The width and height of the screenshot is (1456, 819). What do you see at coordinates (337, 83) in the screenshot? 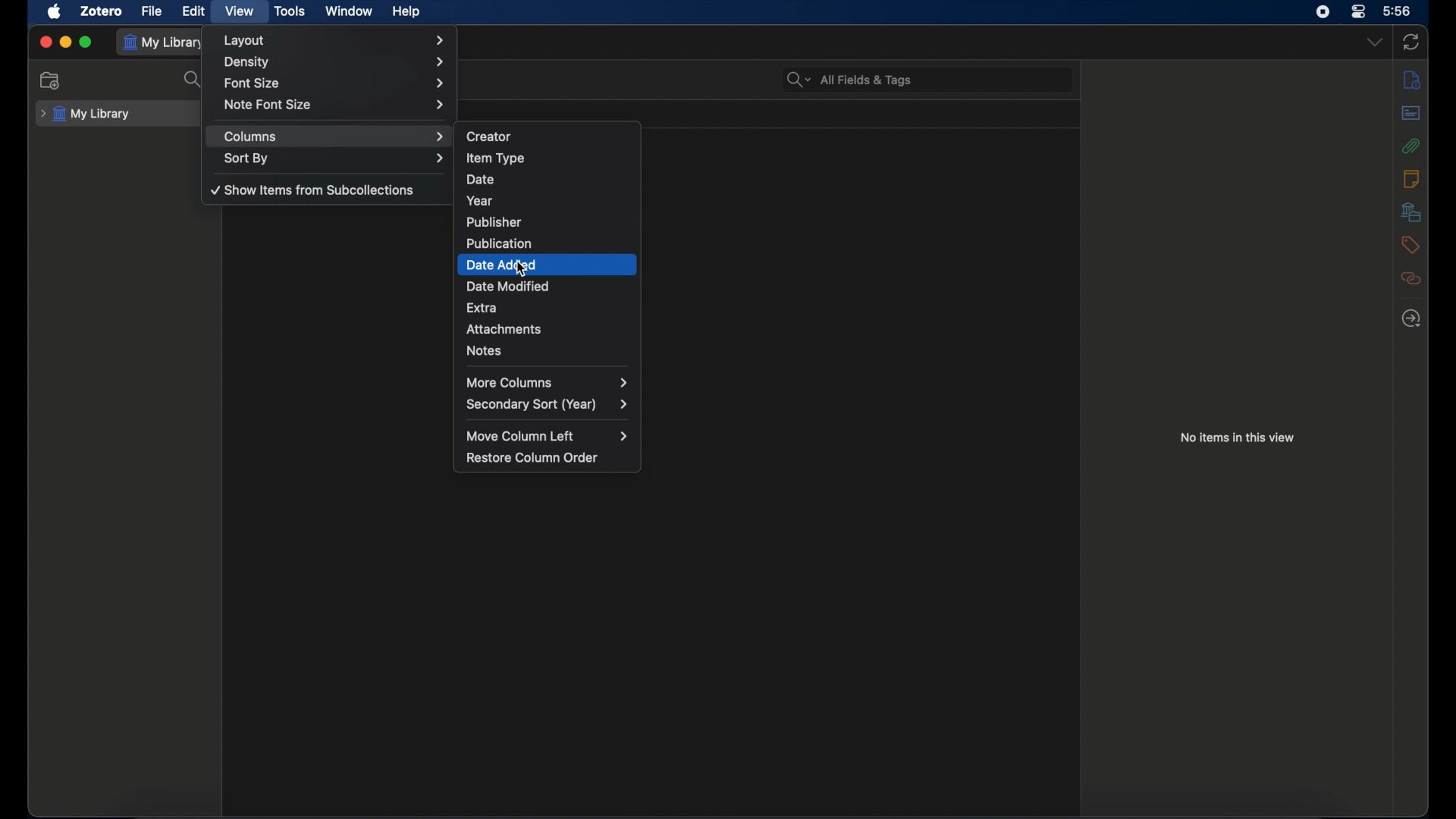
I see `font size` at bounding box center [337, 83].